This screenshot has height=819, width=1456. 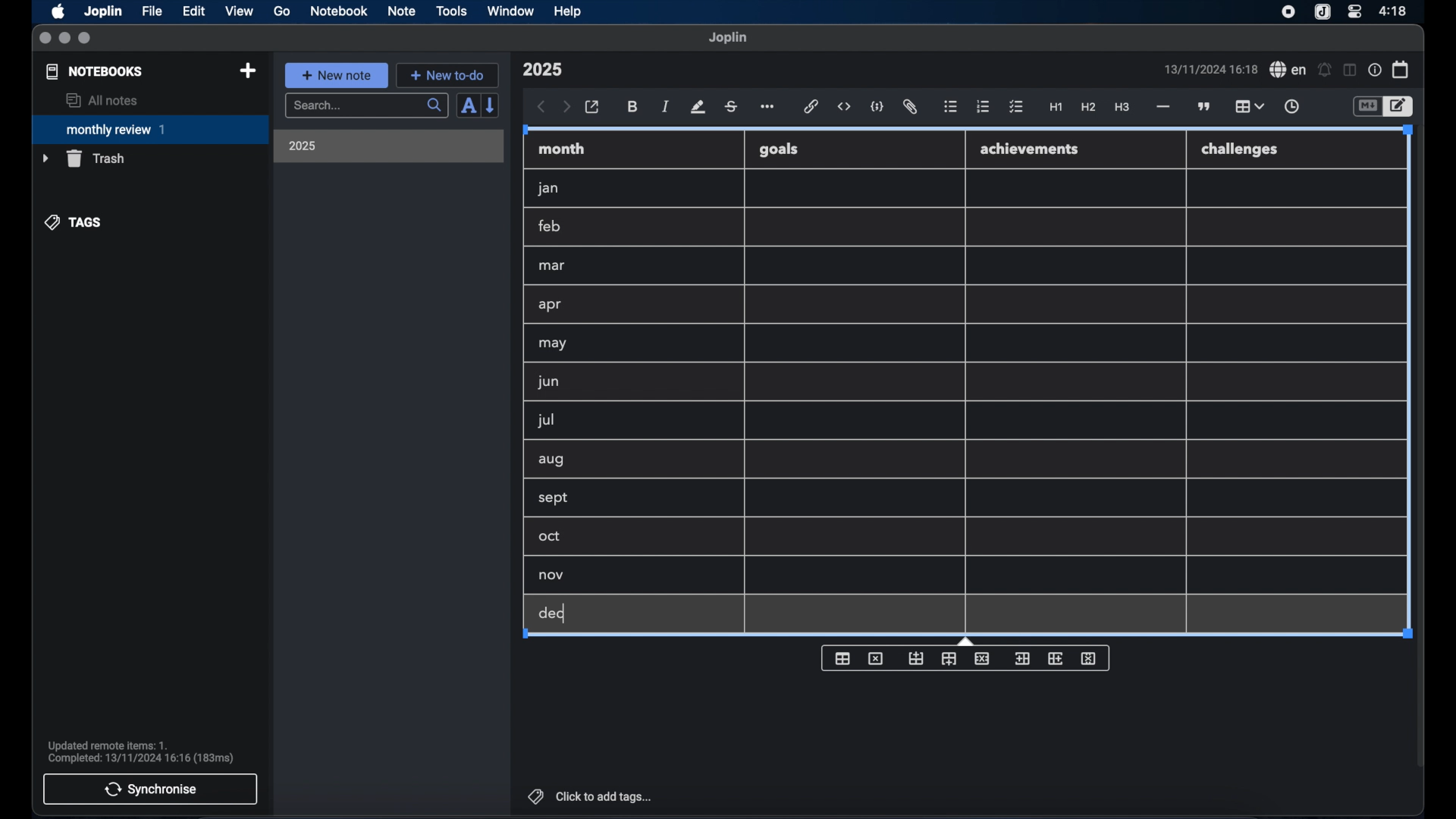 What do you see at coordinates (591, 796) in the screenshot?
I see `click to add tags` at bounding box center [591, 796].